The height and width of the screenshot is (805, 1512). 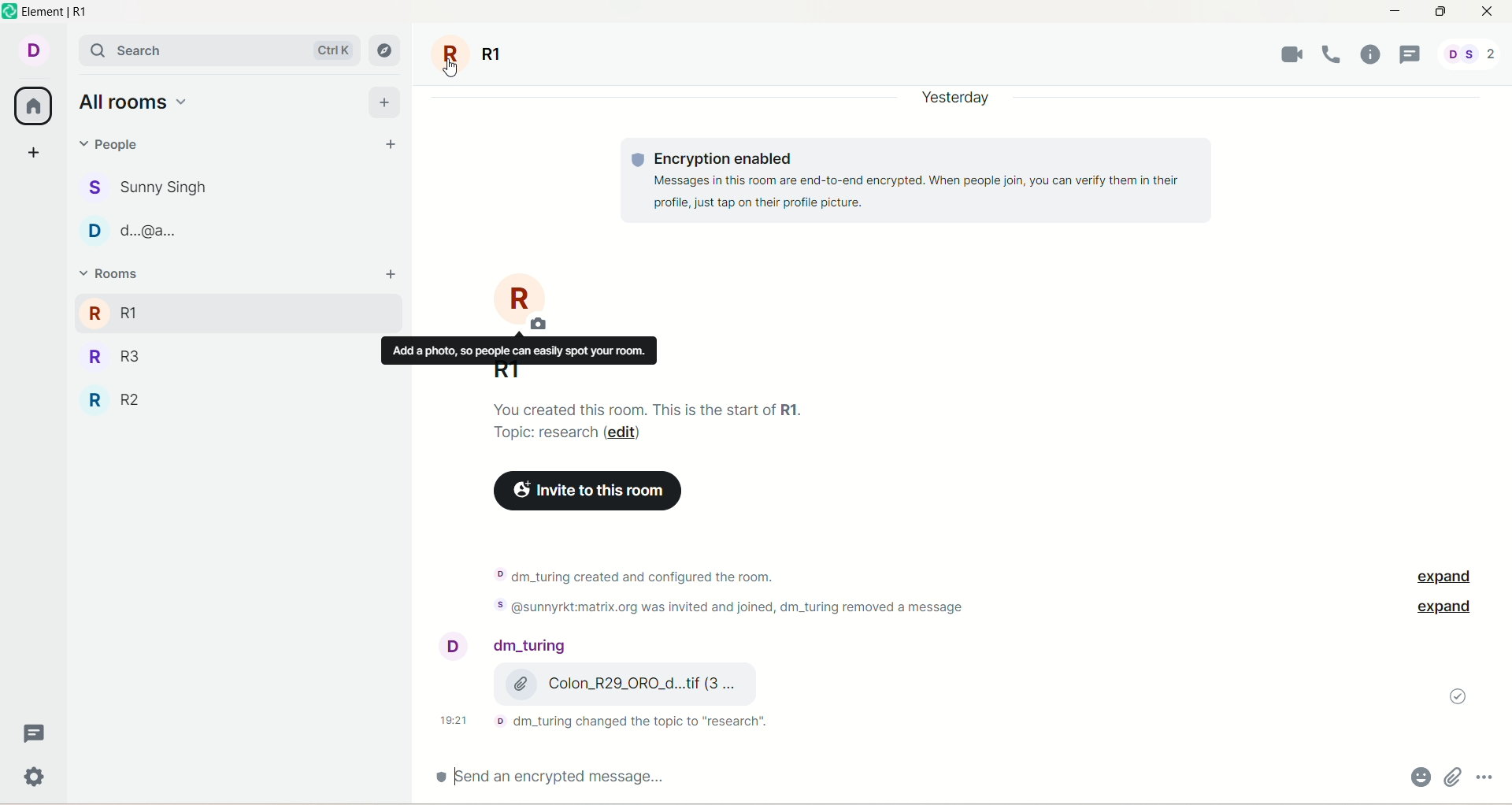 I want to click on threads, so click(x=1413, y=54).